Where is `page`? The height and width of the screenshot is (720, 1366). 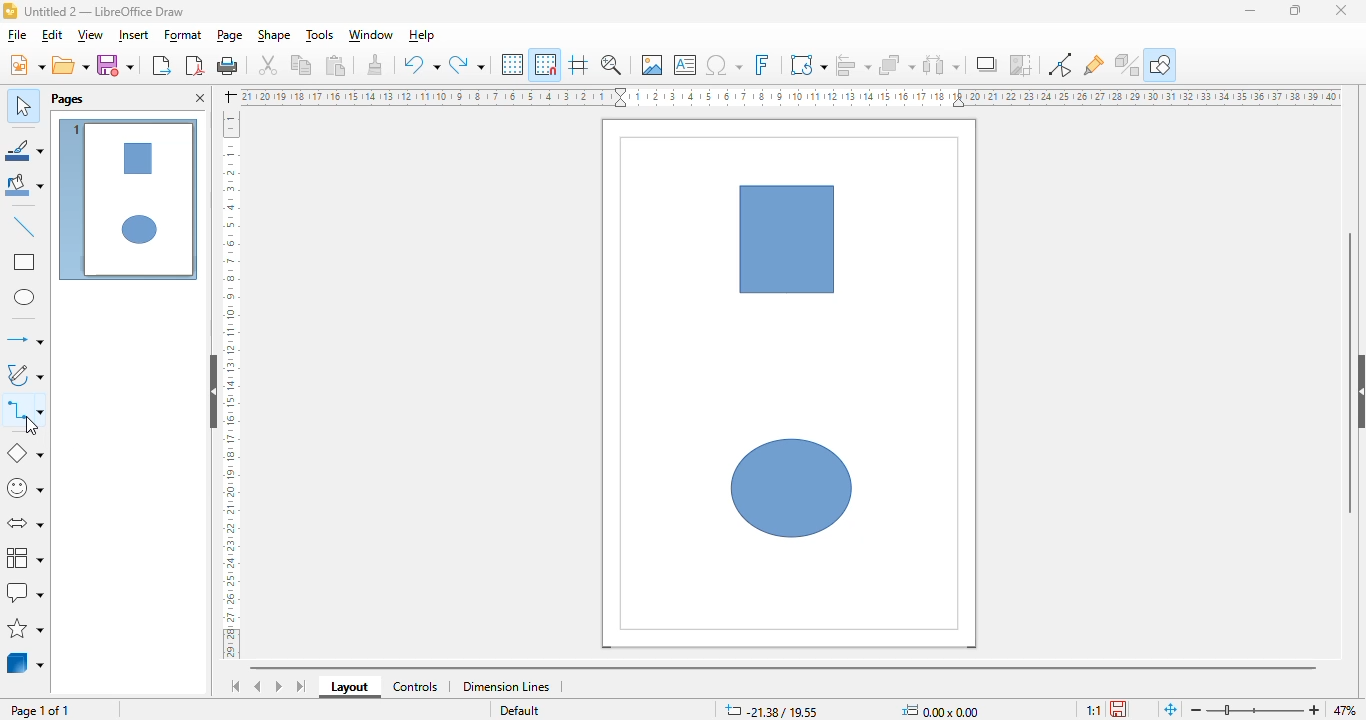 page is located at coordinates (231, 35).